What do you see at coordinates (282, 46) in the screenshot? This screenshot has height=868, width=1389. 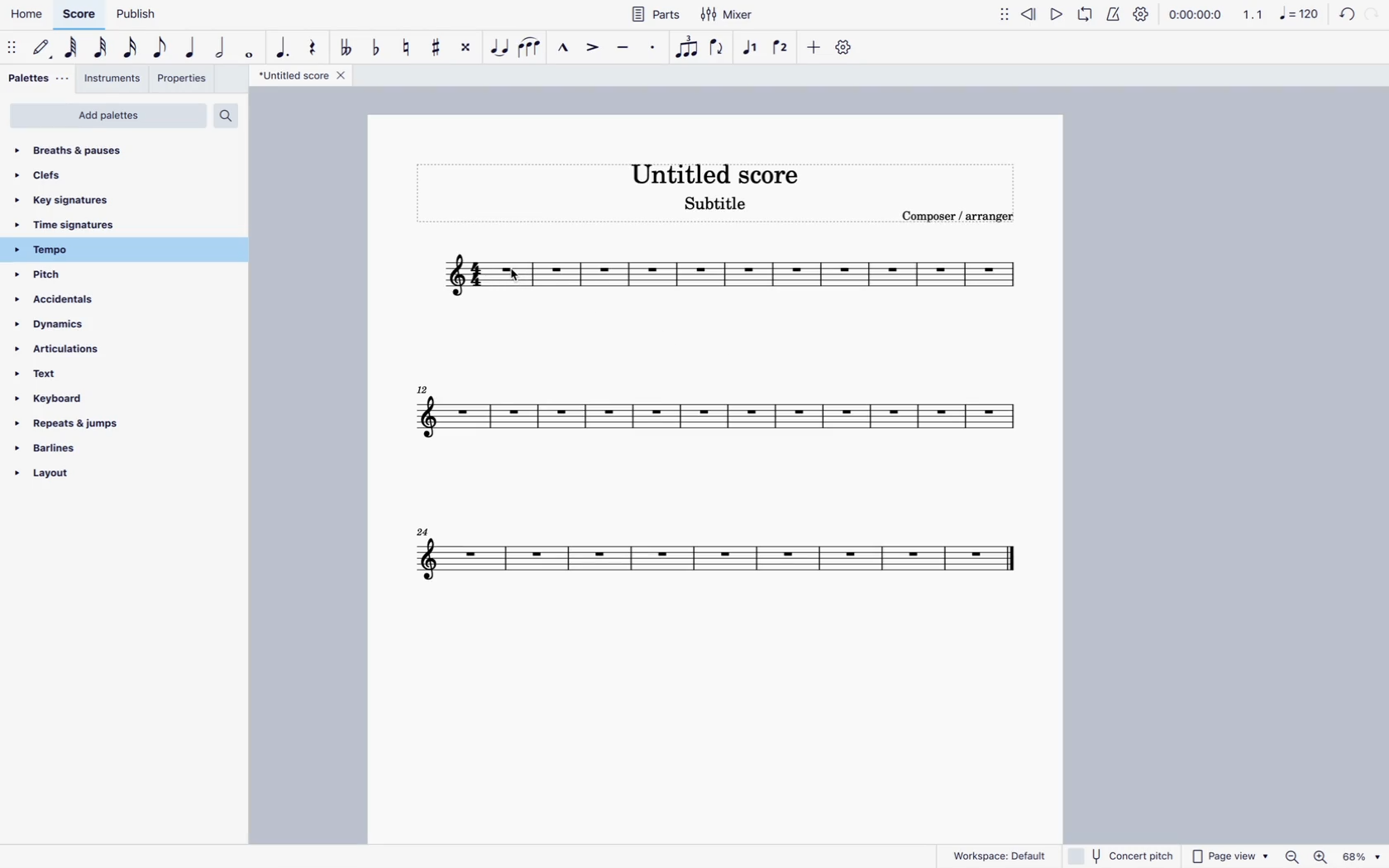 I see `augmentative dot` at bounding box center [282, 46].